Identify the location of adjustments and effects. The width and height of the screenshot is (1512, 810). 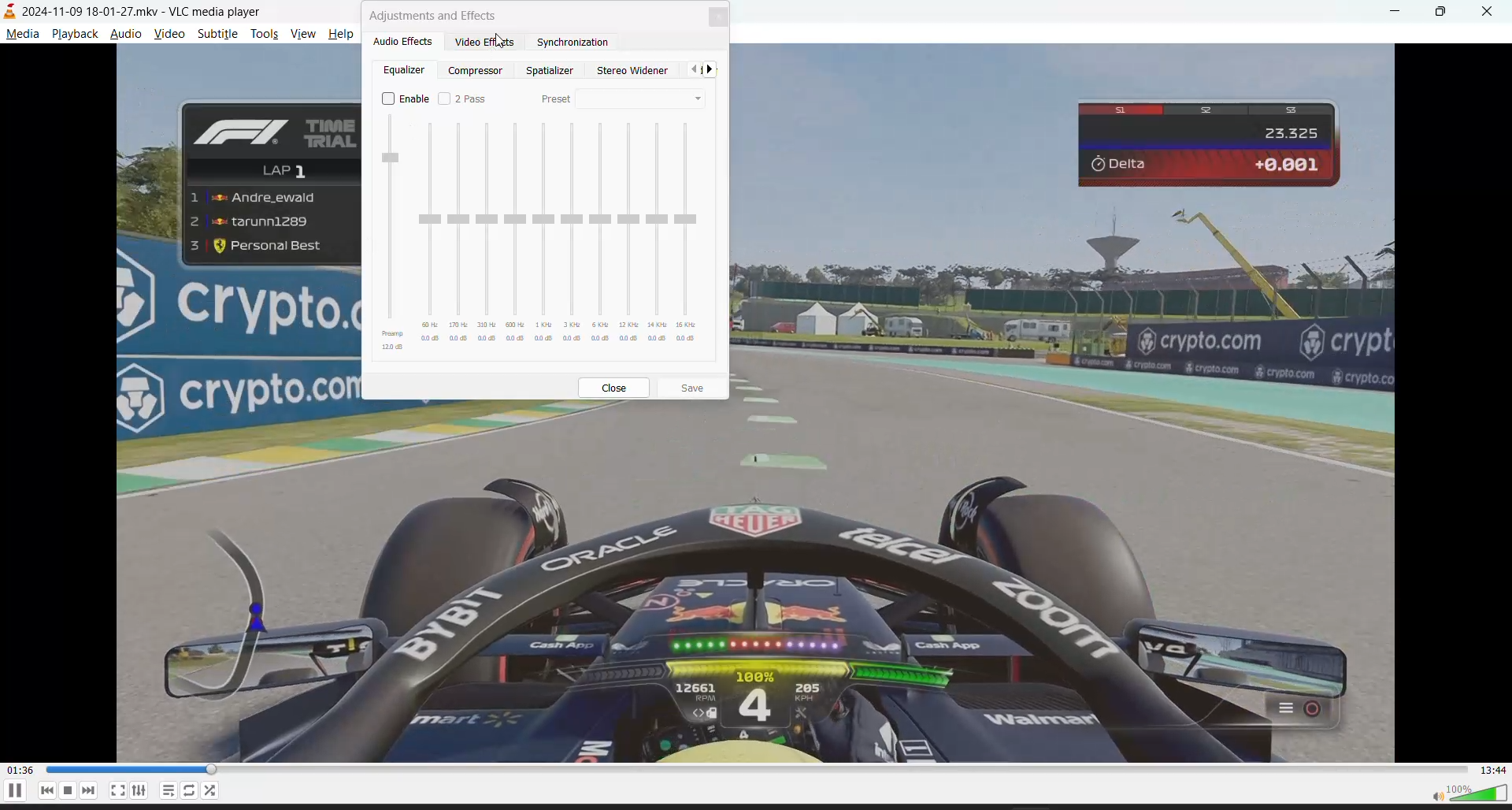
(435, 17).